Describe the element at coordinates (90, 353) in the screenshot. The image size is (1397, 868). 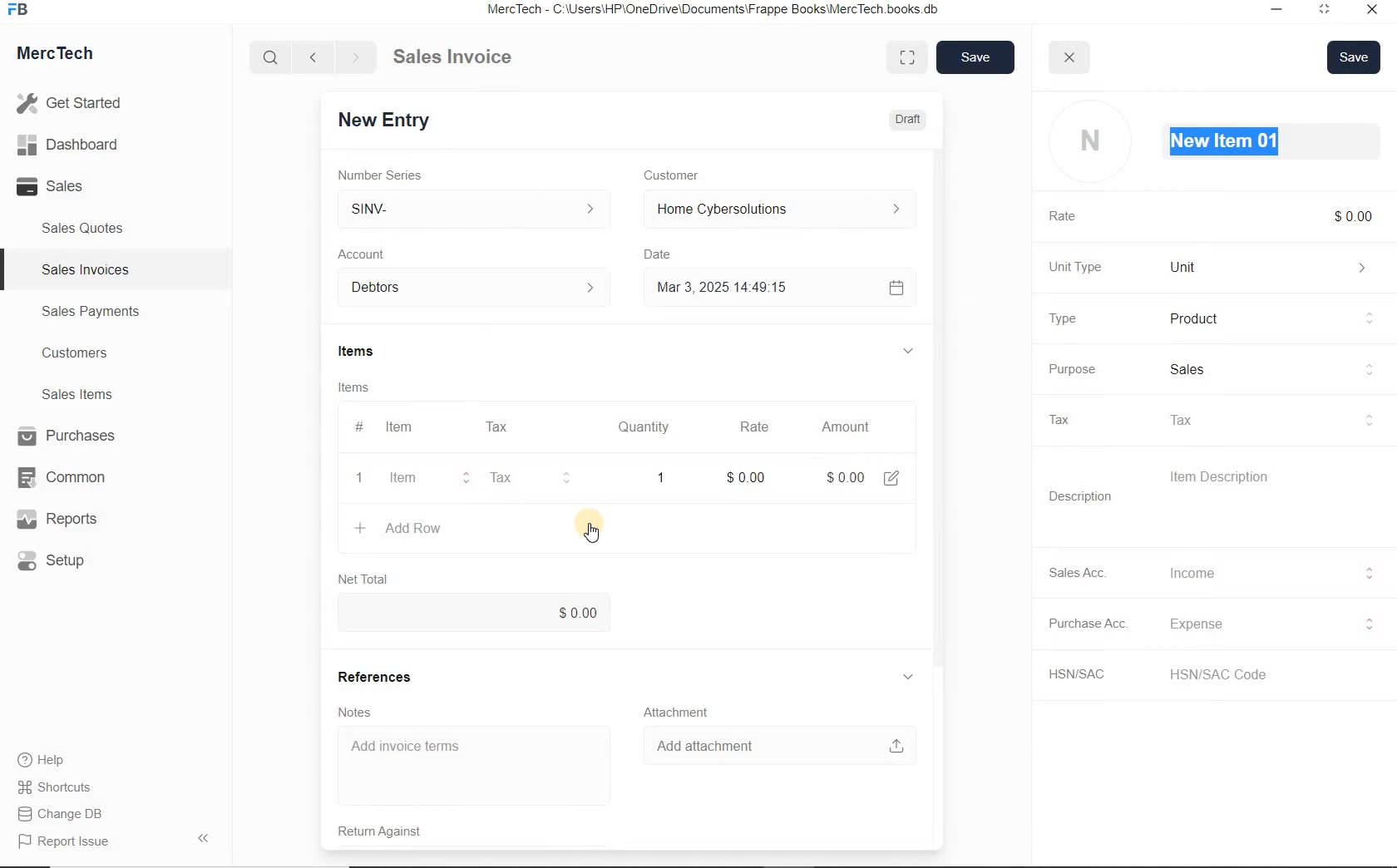
I see `Customers` at that location.